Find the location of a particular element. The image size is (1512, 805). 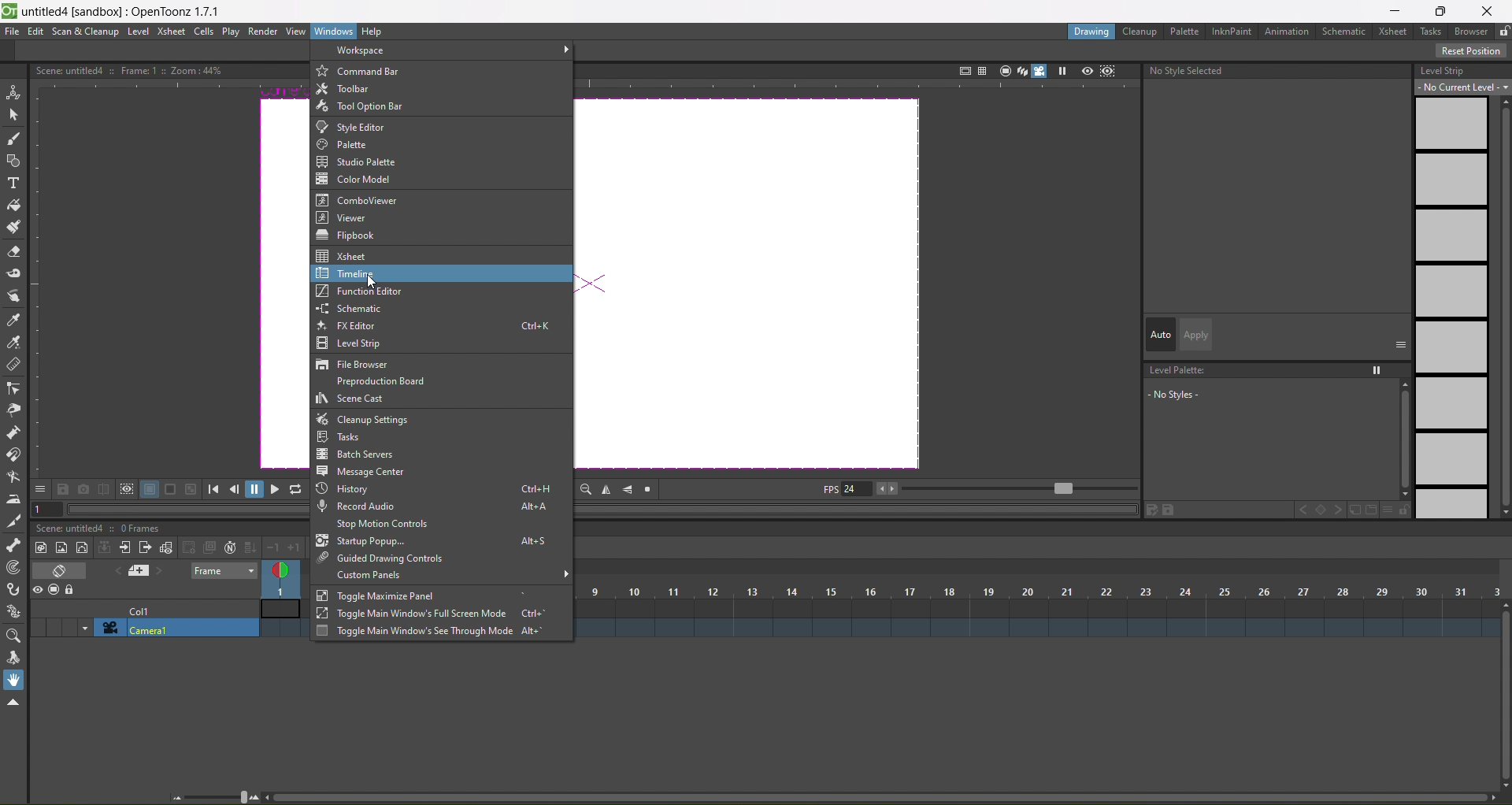

studio palette is located at coordinates (375, 162).